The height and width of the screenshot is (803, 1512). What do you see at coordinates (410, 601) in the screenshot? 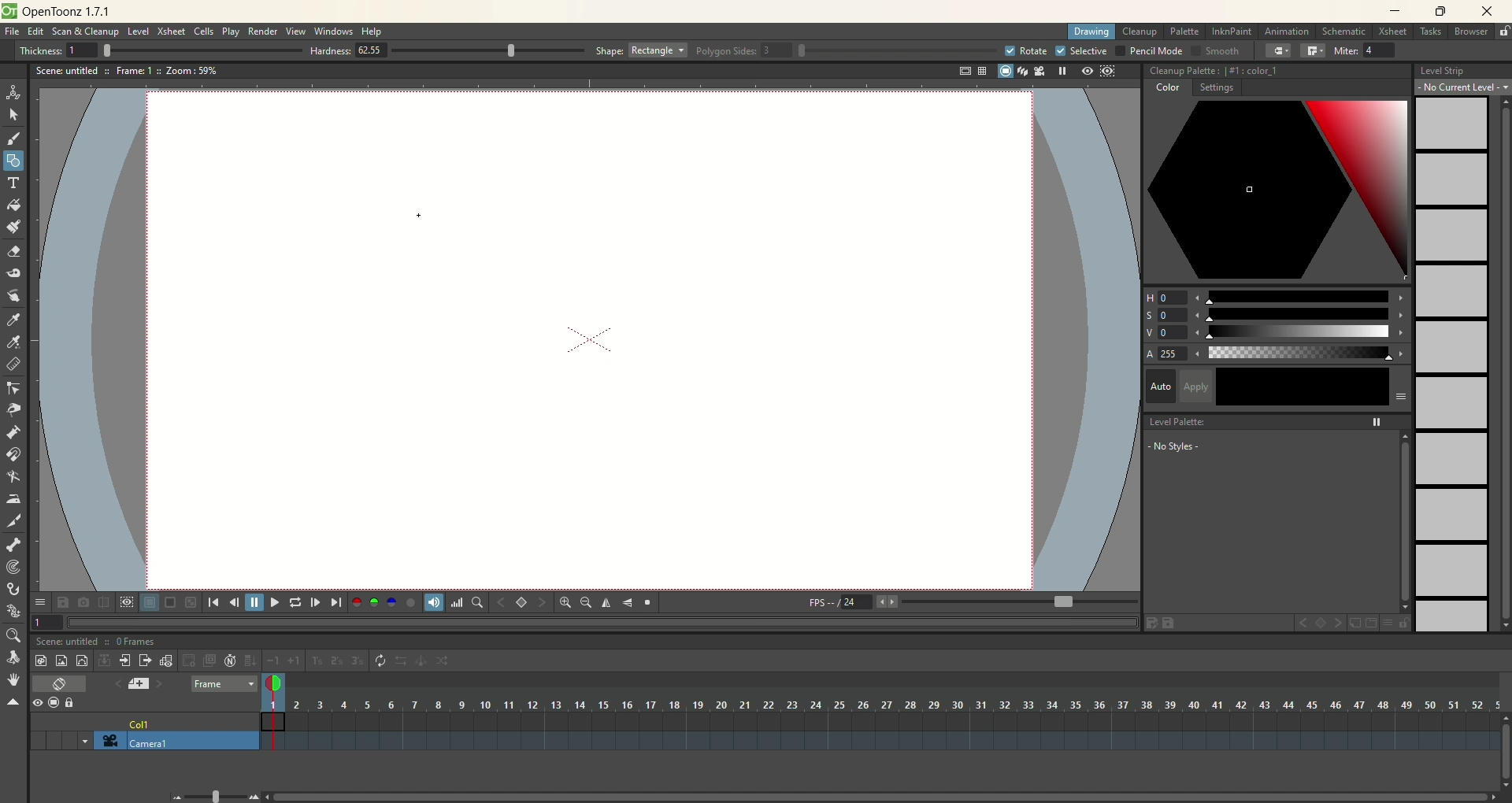
I see `alpha channel` at bounding box center [410, 601].